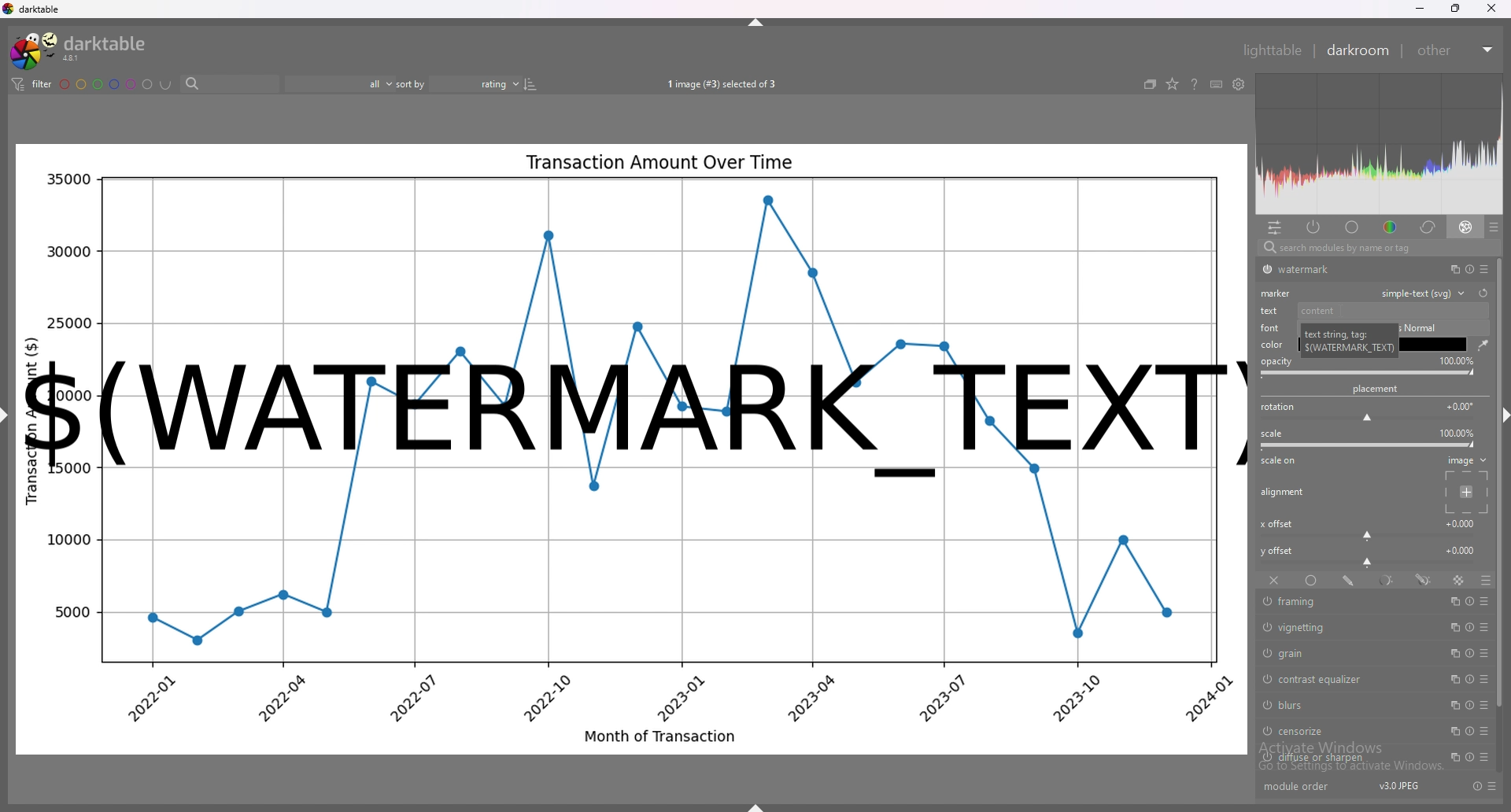 Image resolution: width=1511 pixels, height=812 pixels. I want to click on reset, so click(1466, 756).